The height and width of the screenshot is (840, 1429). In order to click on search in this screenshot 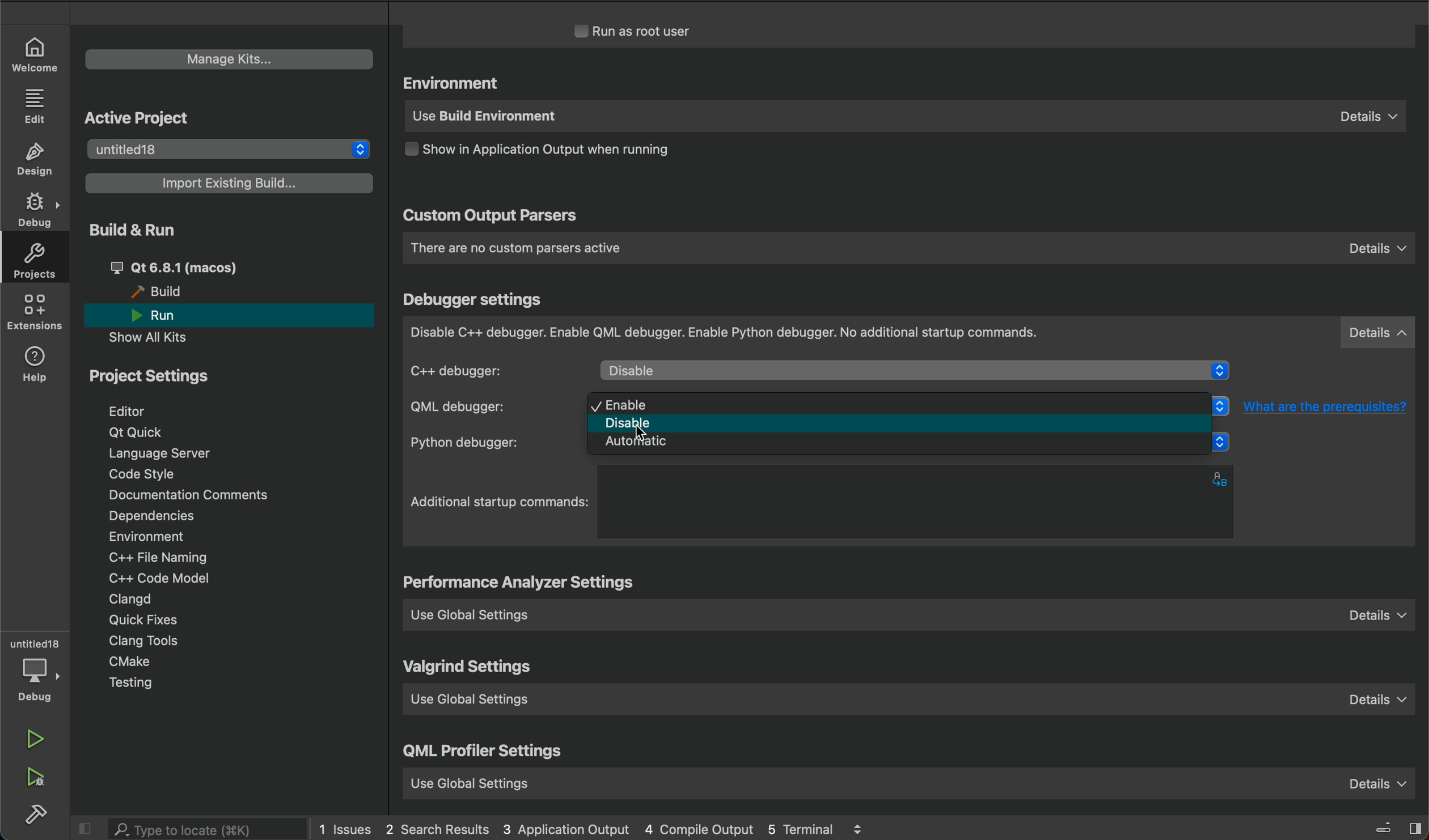, I will do `click(208, 830)`.